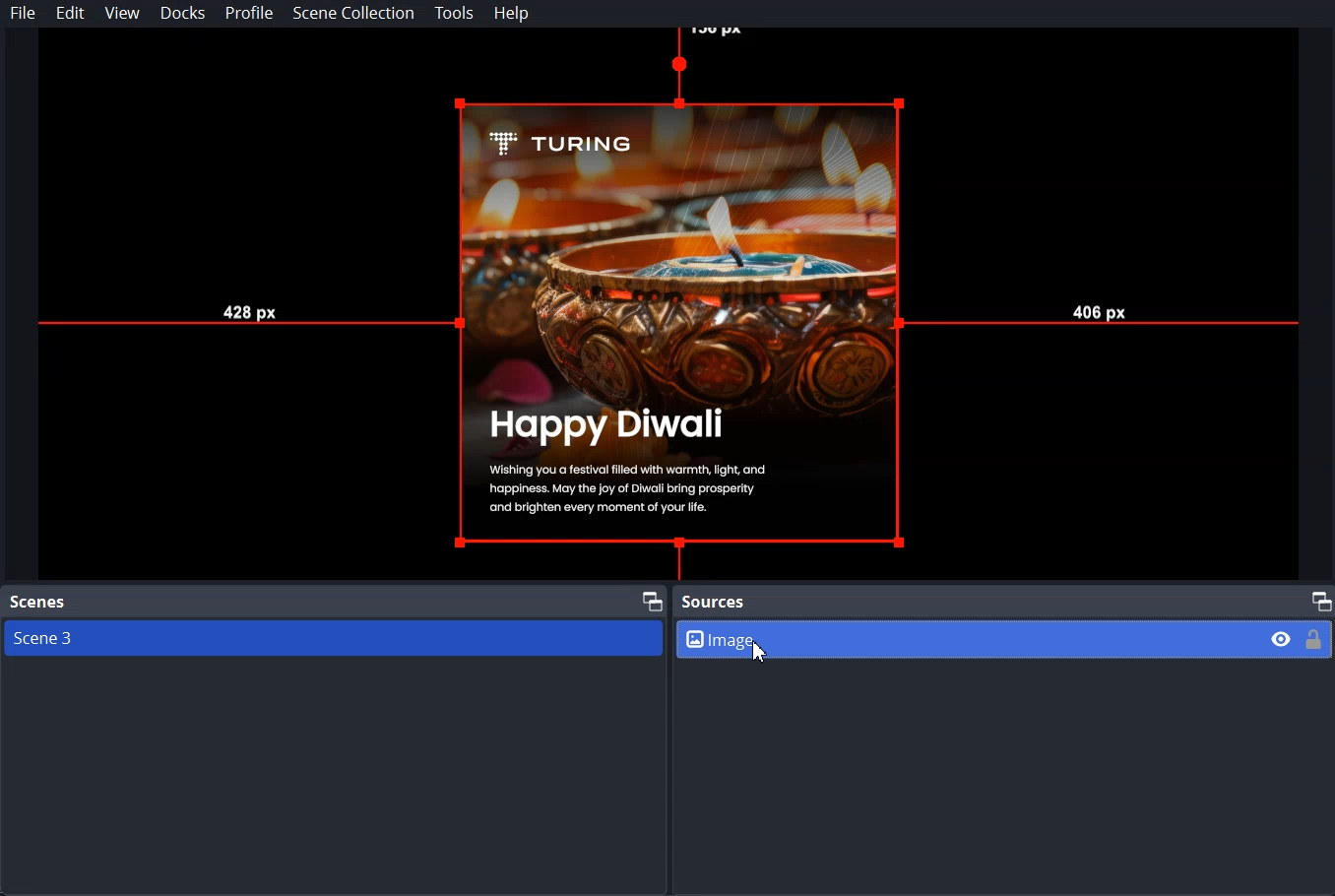  What do you see at coordinates (184, 13) in the screenshot?
I see `Docks` at bounding box center [184, 13].